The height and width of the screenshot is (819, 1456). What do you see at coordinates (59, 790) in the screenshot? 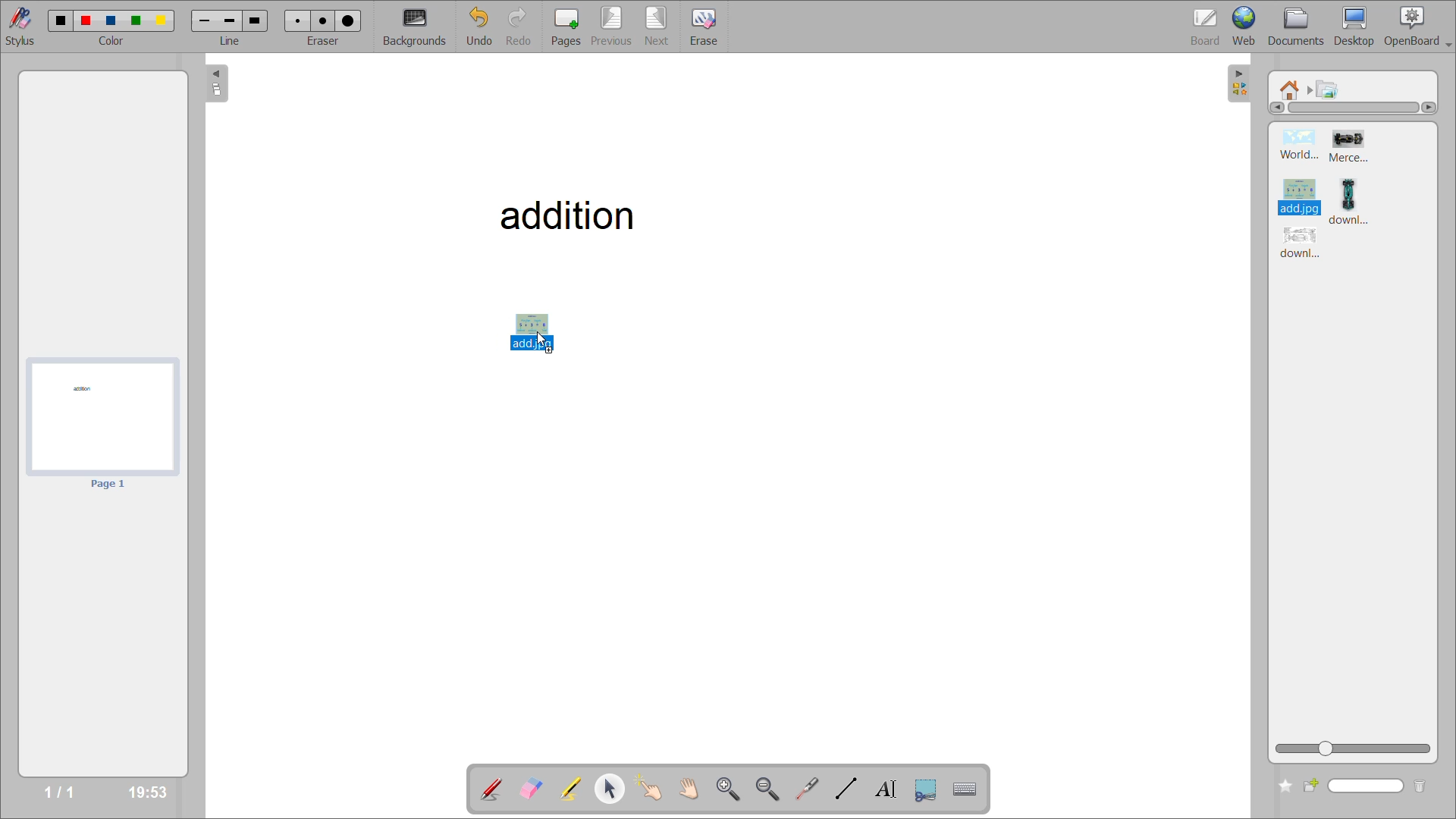
I see `page no/total pages` at bounding box center [59, 790].